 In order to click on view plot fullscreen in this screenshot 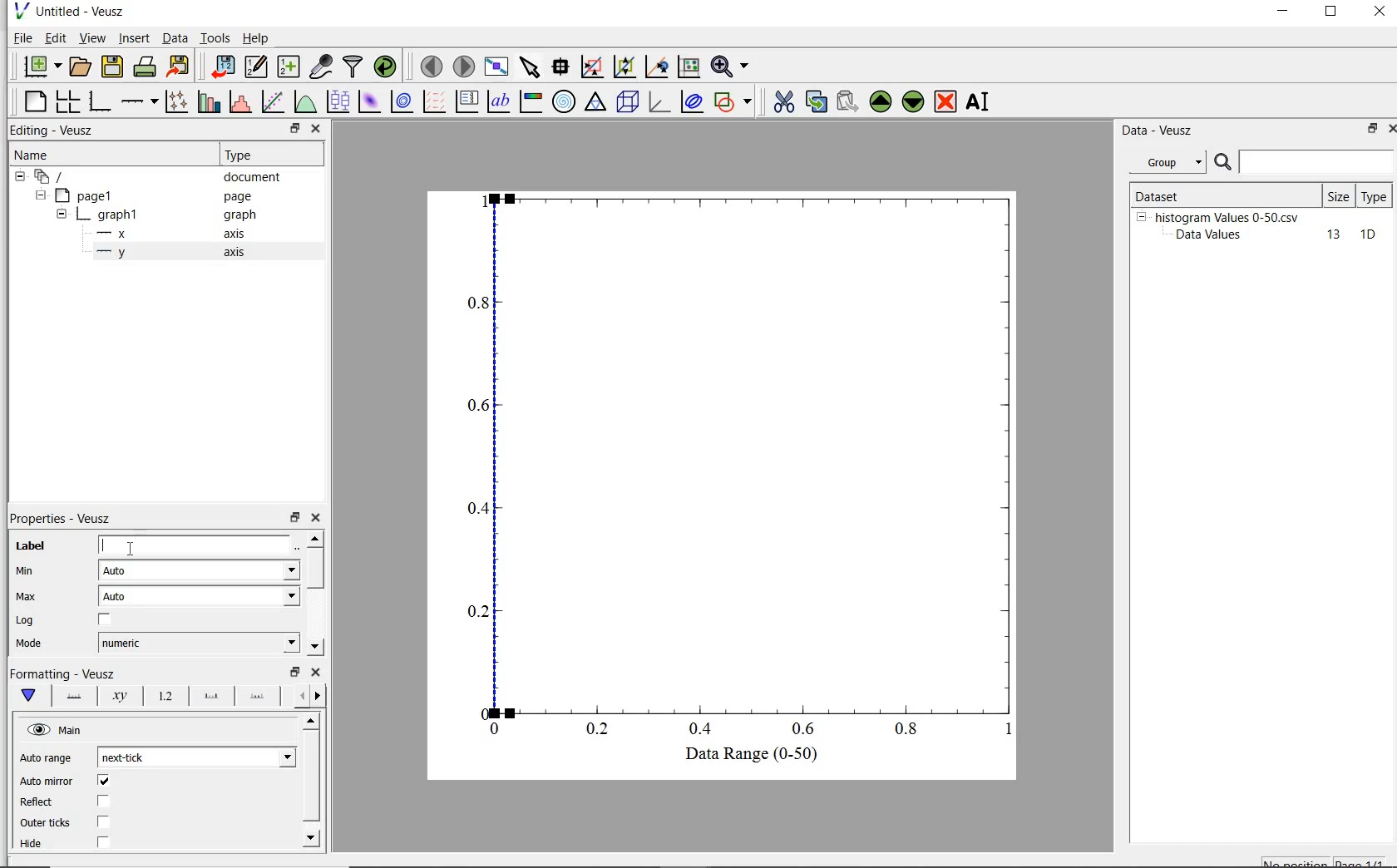, I will do `click(496, 65)`.